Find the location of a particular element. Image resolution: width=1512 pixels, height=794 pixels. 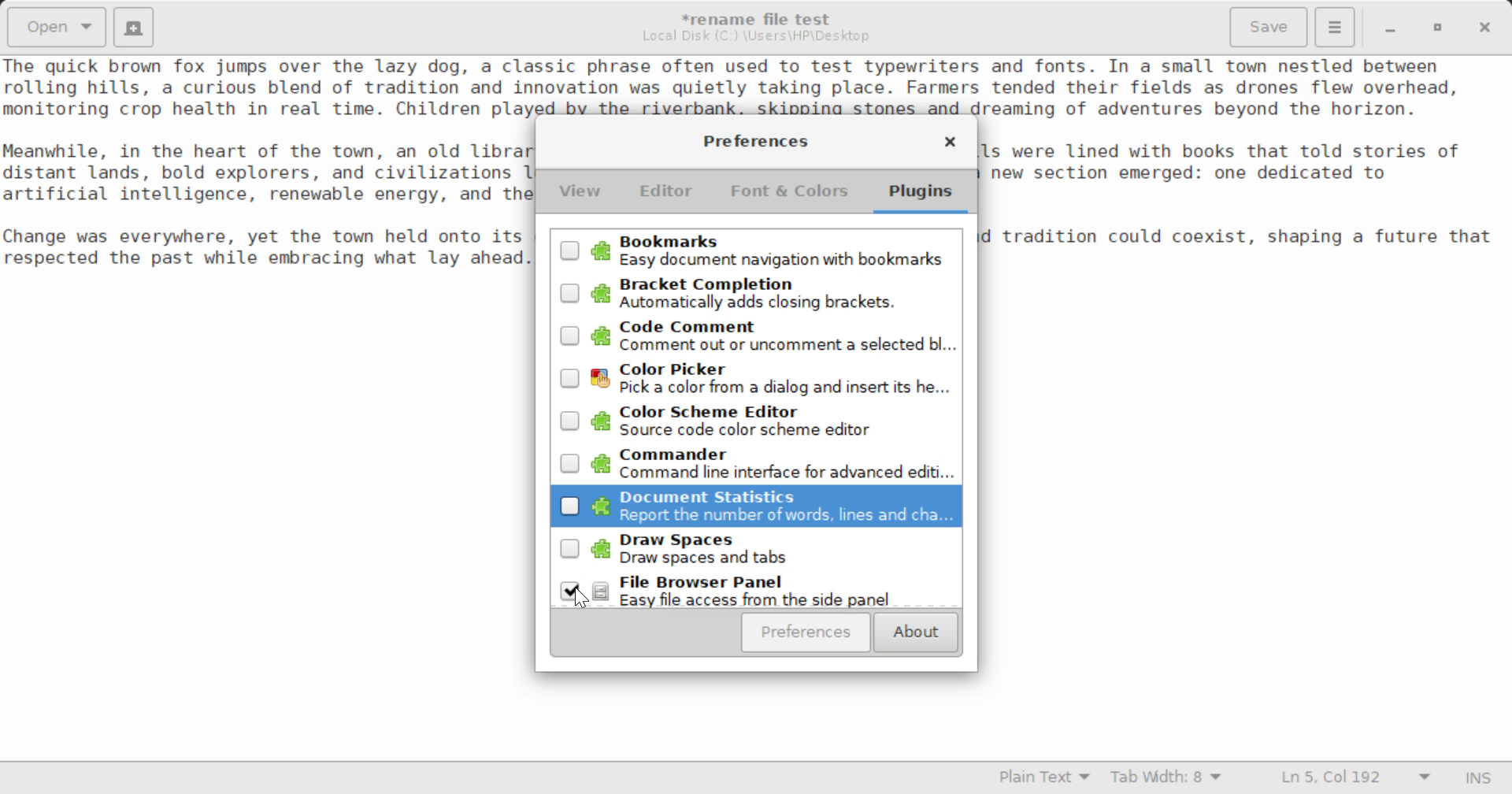

About is located at coordinates (913, 633).